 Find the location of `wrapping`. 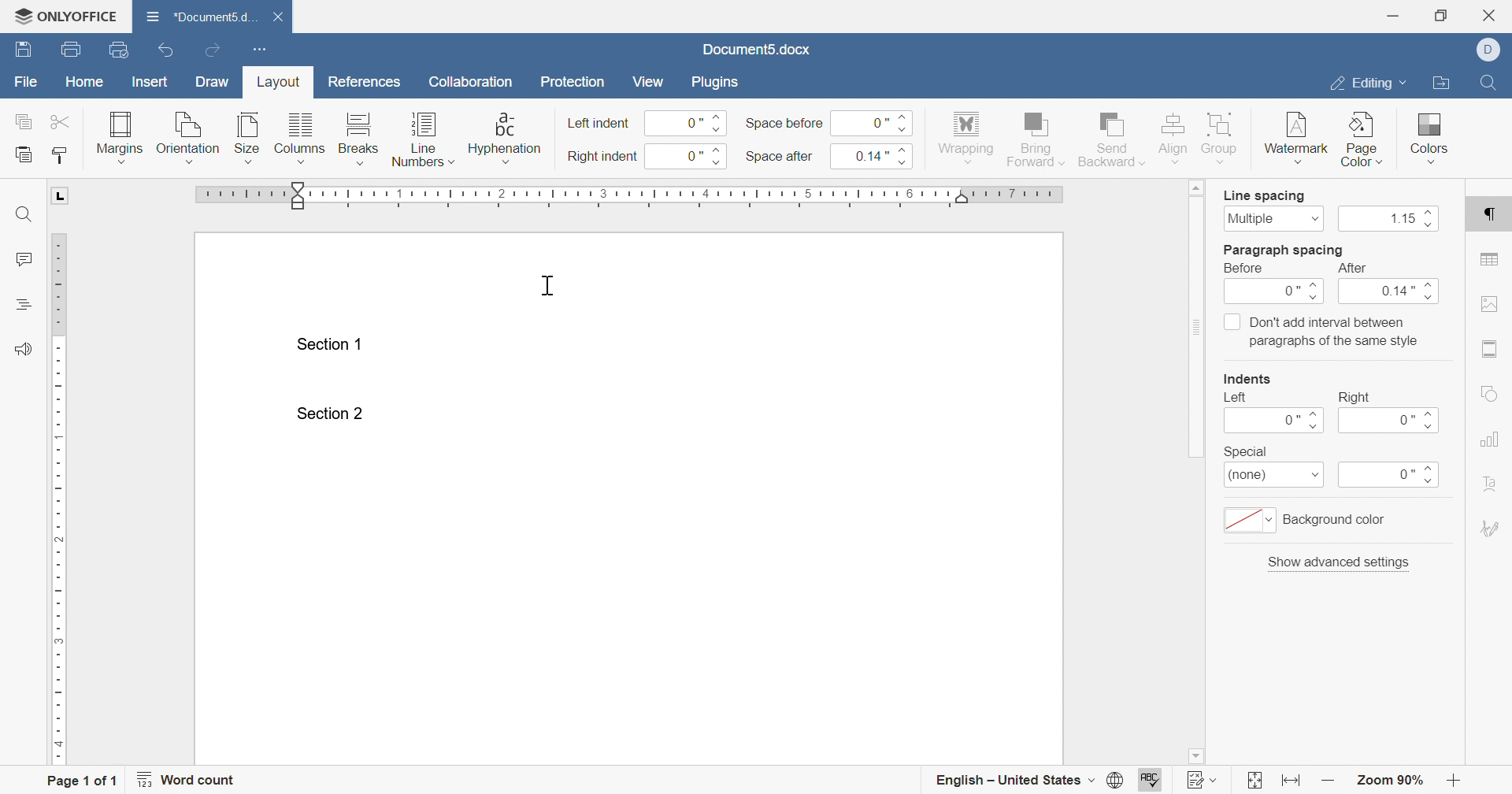

wrapping is located at coordinates (966, 139).